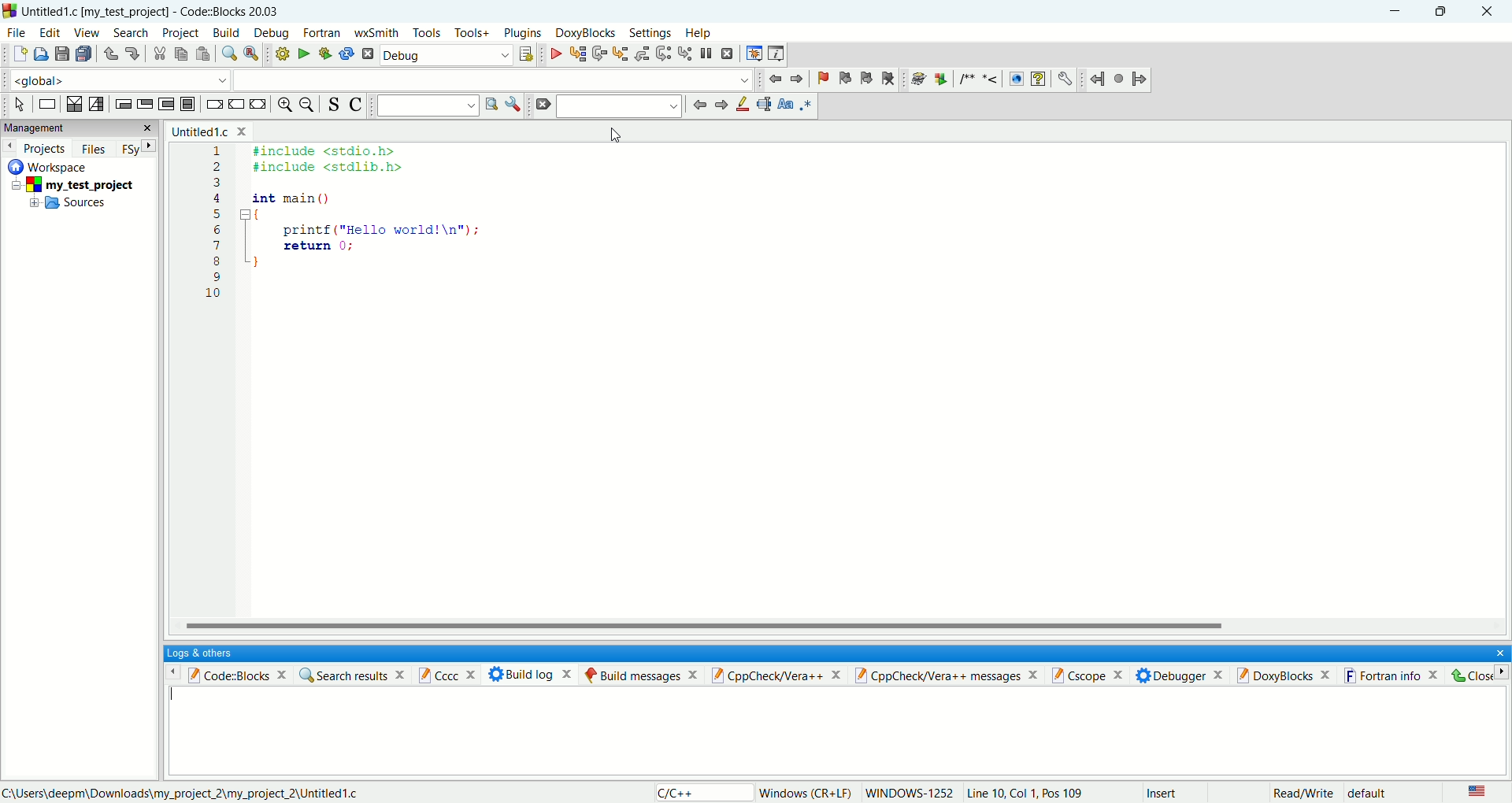  I want to click on code, so click(370, 220).